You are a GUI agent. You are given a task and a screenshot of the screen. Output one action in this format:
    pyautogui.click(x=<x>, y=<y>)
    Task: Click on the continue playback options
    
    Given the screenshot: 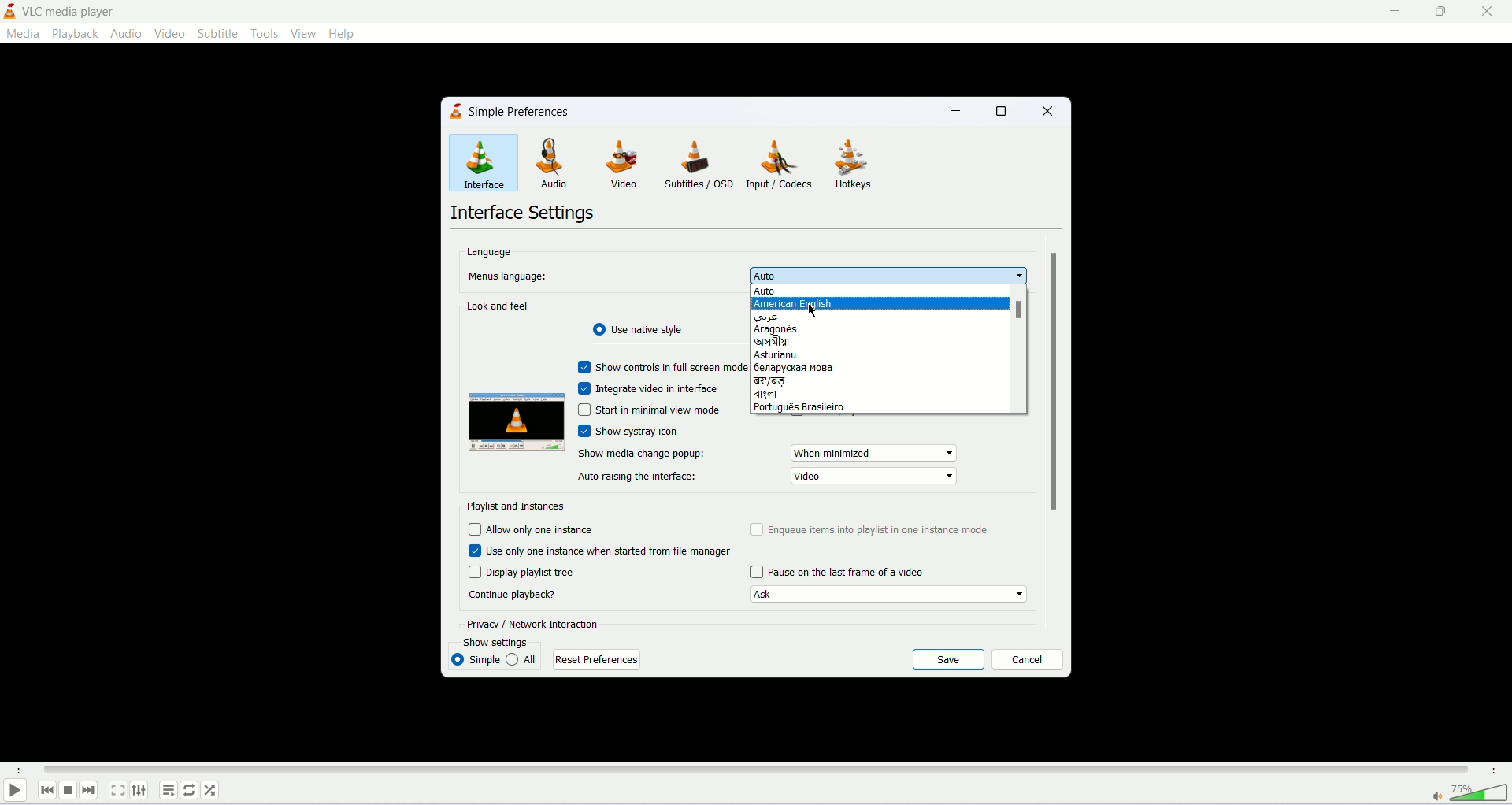 What is the action you would take?
    pyautogui.click(x=888, y=595)
    